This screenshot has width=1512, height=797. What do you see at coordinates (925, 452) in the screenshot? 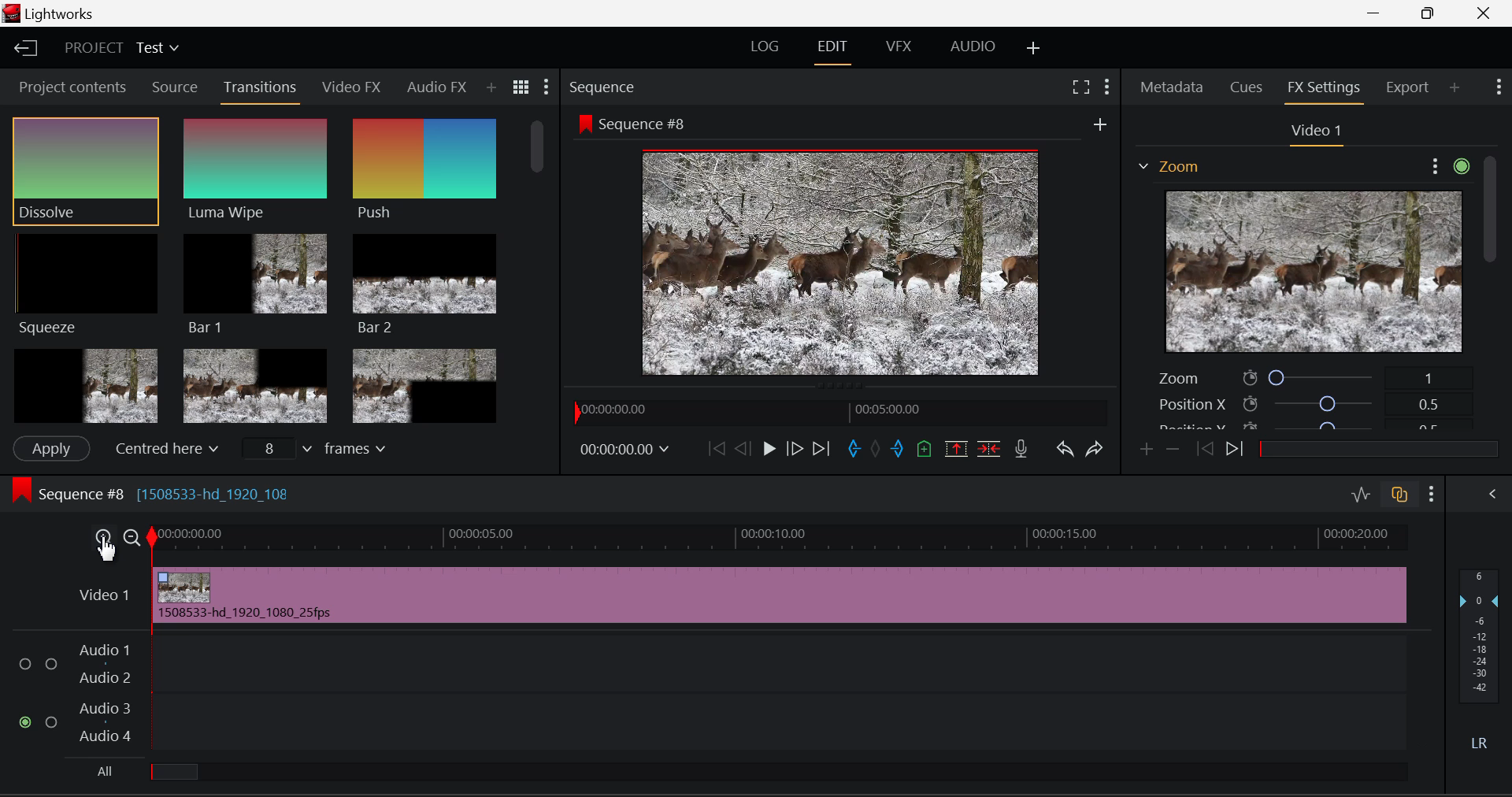
I see `Mark Cue` at bounding box center [925, 452].